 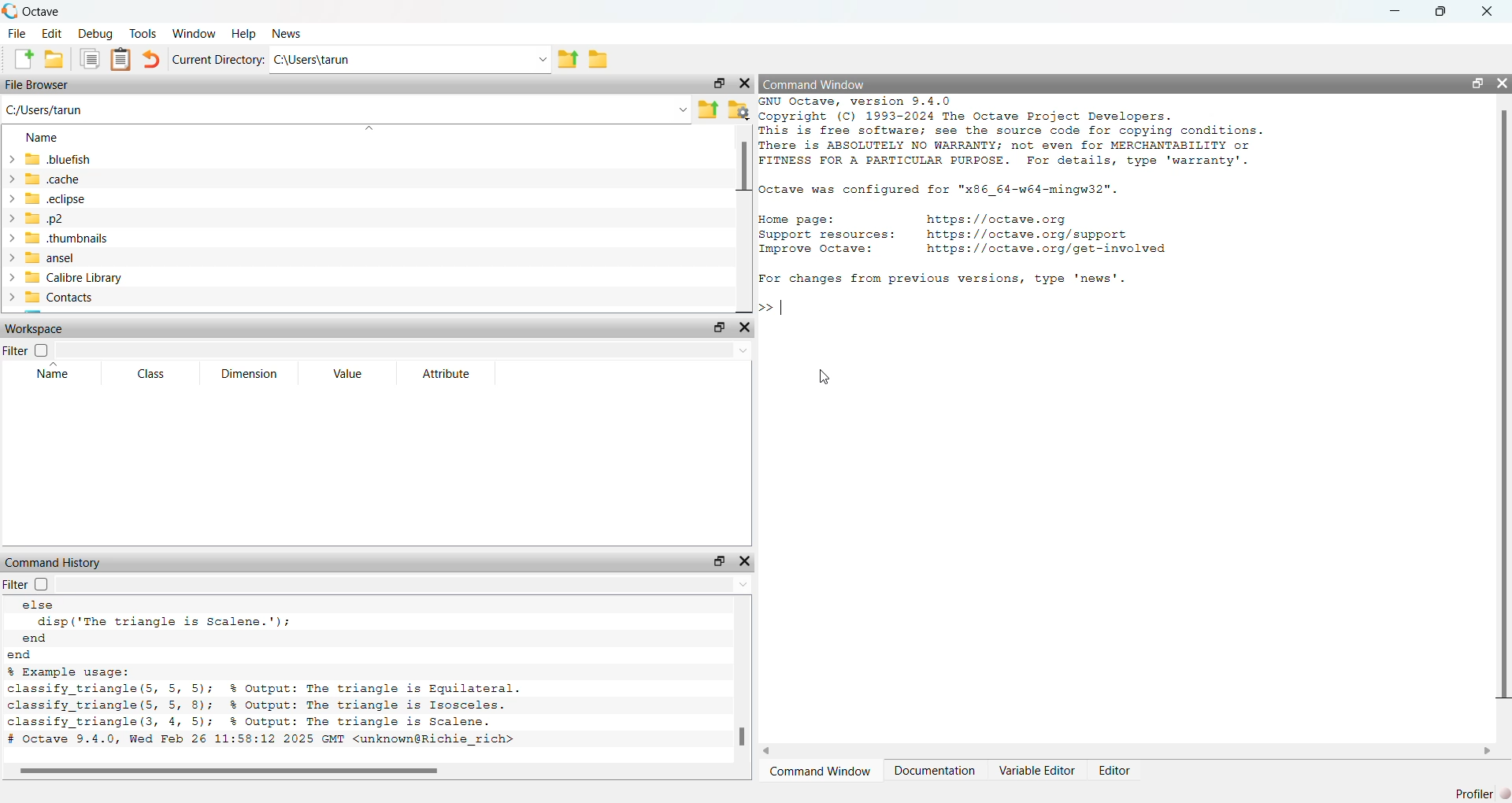 What do you see at coordinates (54, 9) in the screenshot?
I see `octave` at bounding box center [54, 9].